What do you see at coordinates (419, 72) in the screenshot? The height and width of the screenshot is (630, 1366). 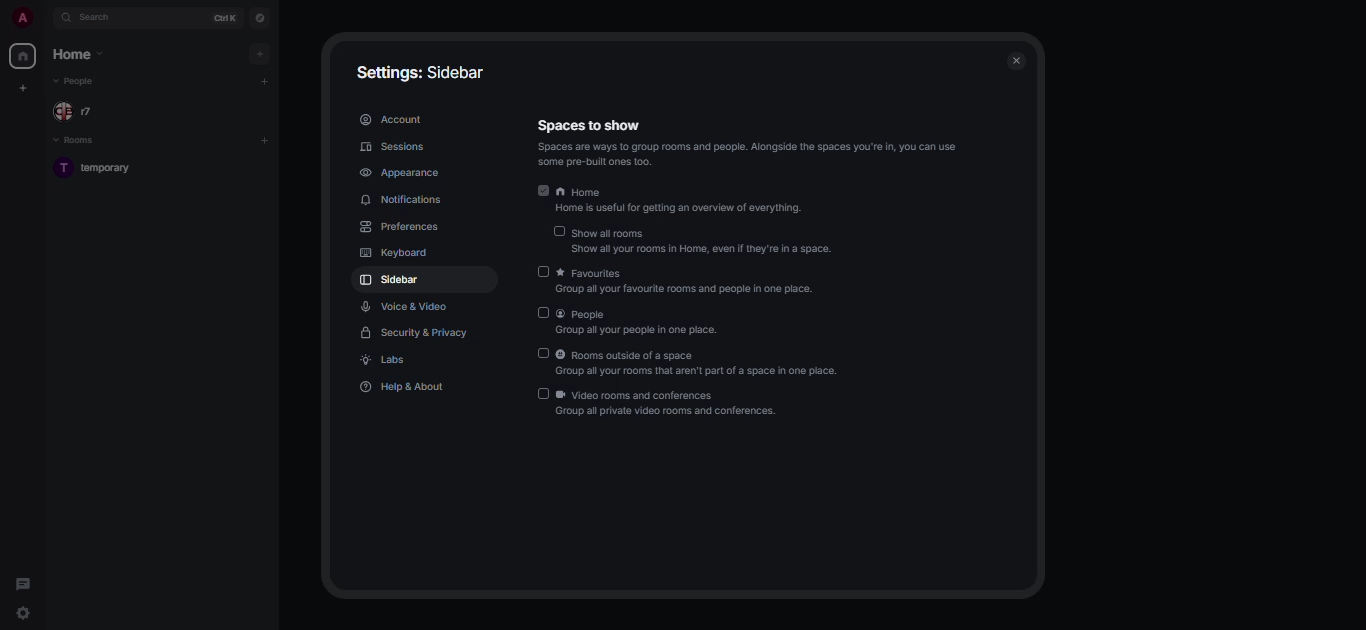 I see `settings: sidebar` at bounding box center [419, 72].